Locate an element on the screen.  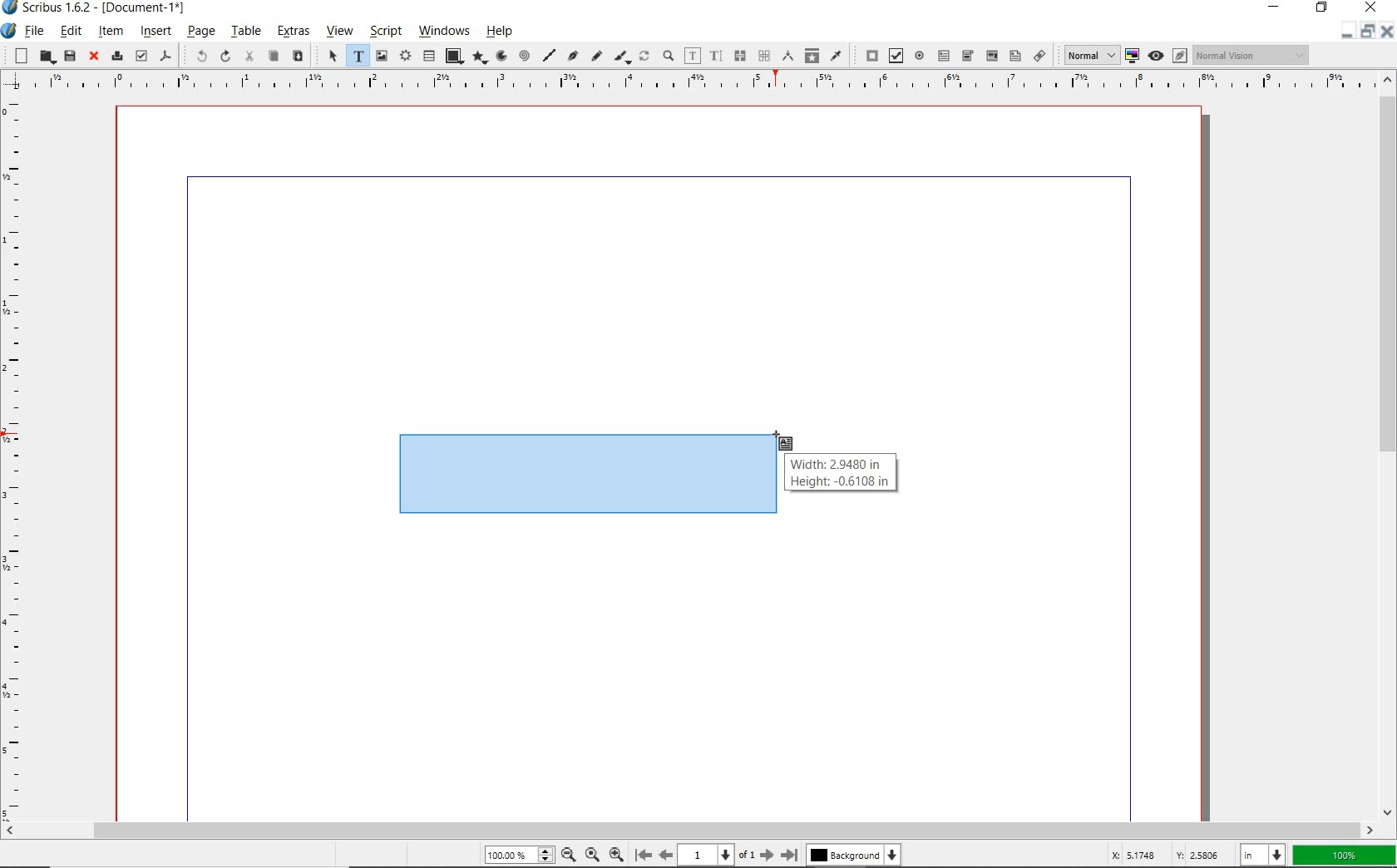
table is located at coordinates (245, 32).